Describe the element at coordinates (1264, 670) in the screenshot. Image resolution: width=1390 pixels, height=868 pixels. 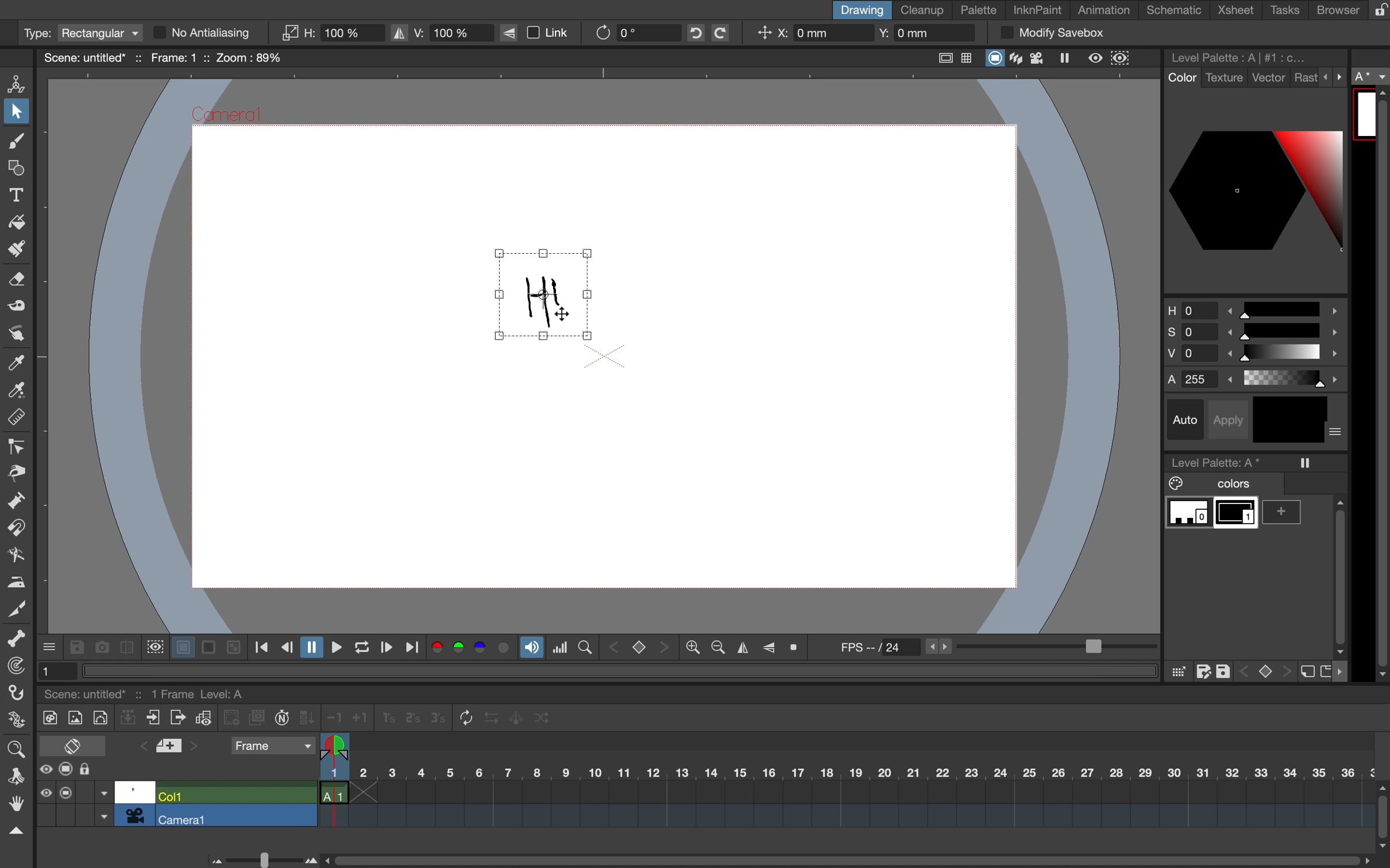
I see `switch between keys` at that location.